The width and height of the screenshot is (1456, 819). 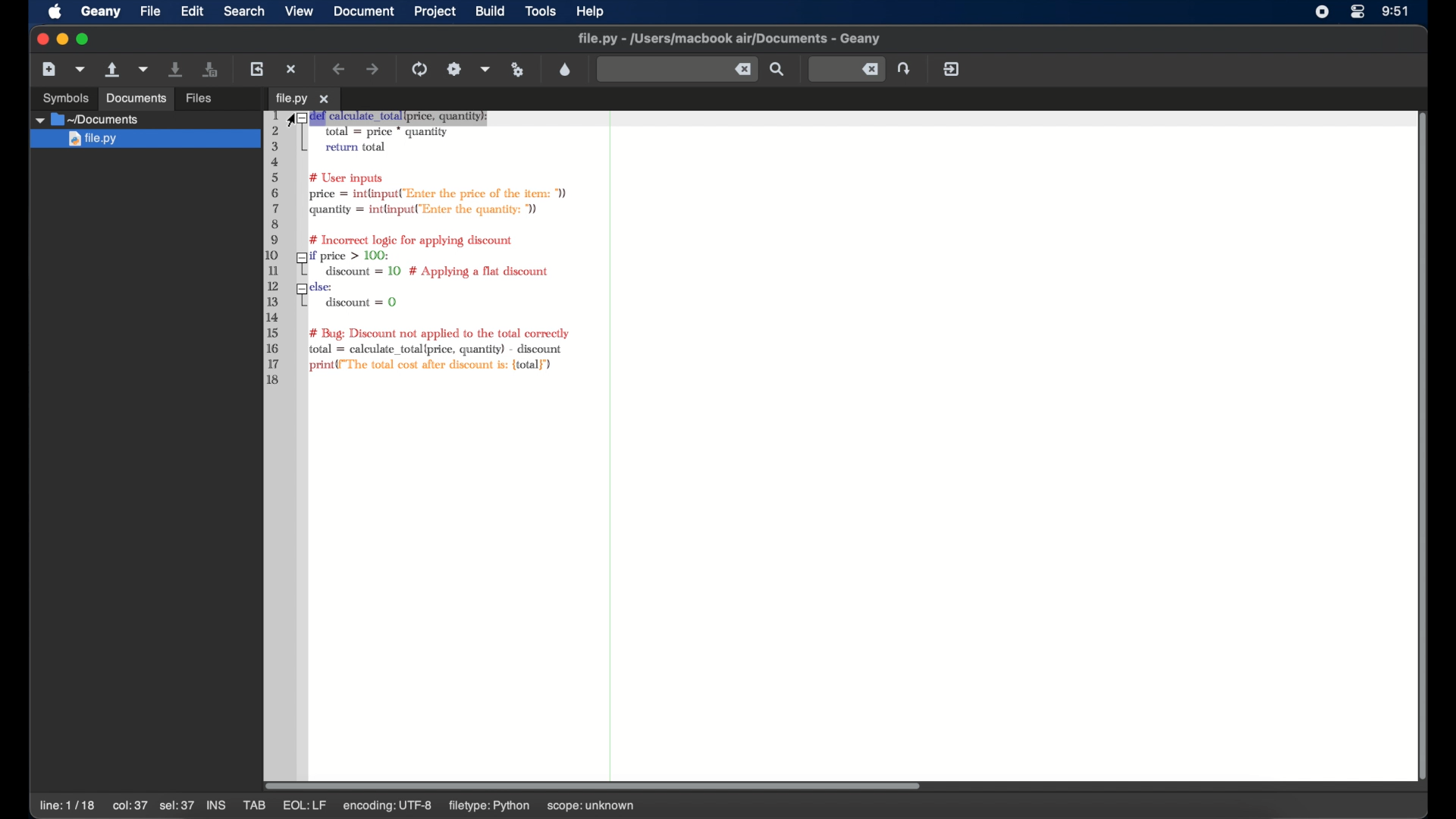 What do you see at coordinates (455, 69) in the screenshot?
I see `build the current file` at bounding box center [455, 69].